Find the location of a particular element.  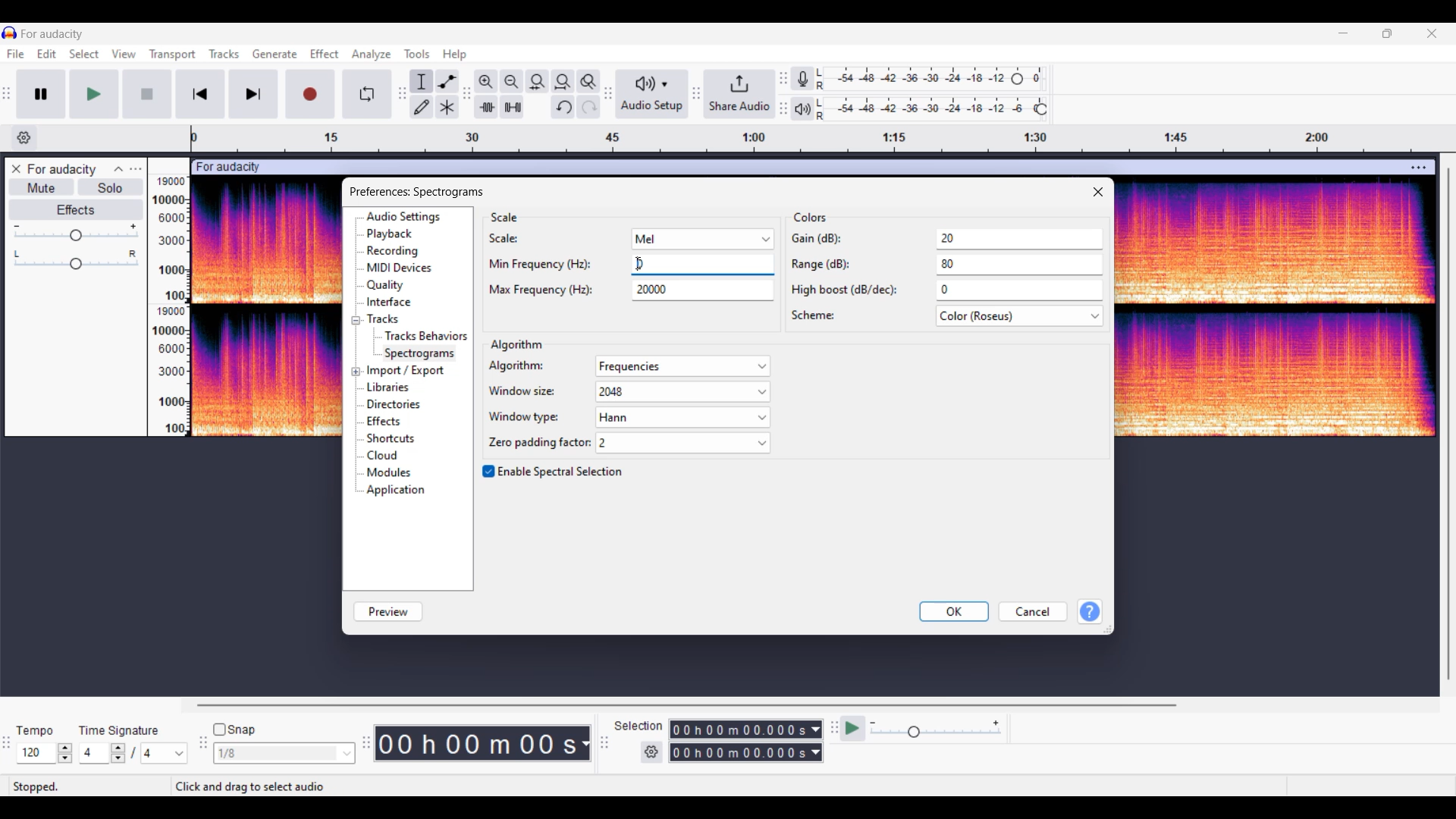

cloud is located at coordinates (388, 457).